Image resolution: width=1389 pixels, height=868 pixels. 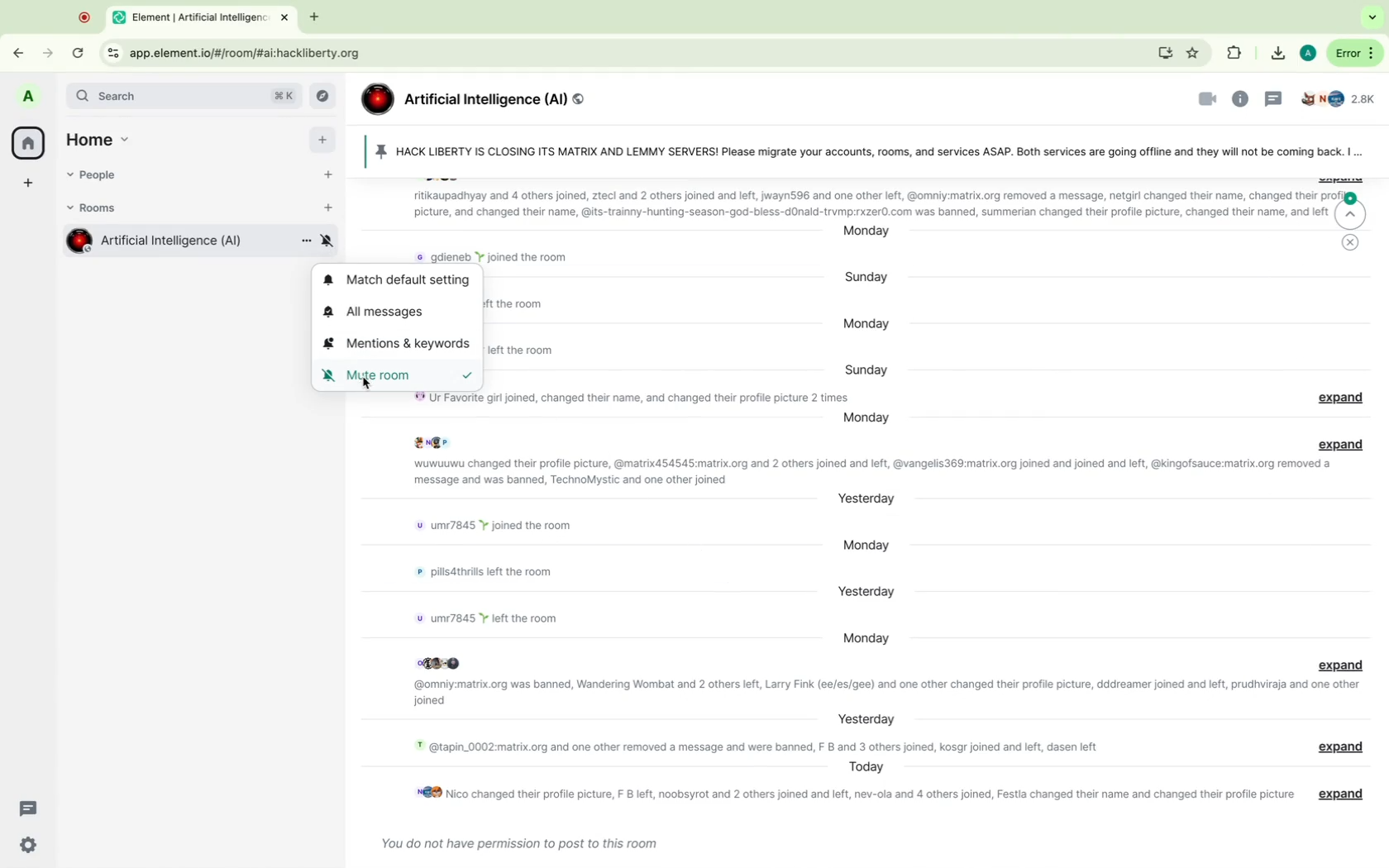 I want to click on install elements, so click(x=1163, y=53).